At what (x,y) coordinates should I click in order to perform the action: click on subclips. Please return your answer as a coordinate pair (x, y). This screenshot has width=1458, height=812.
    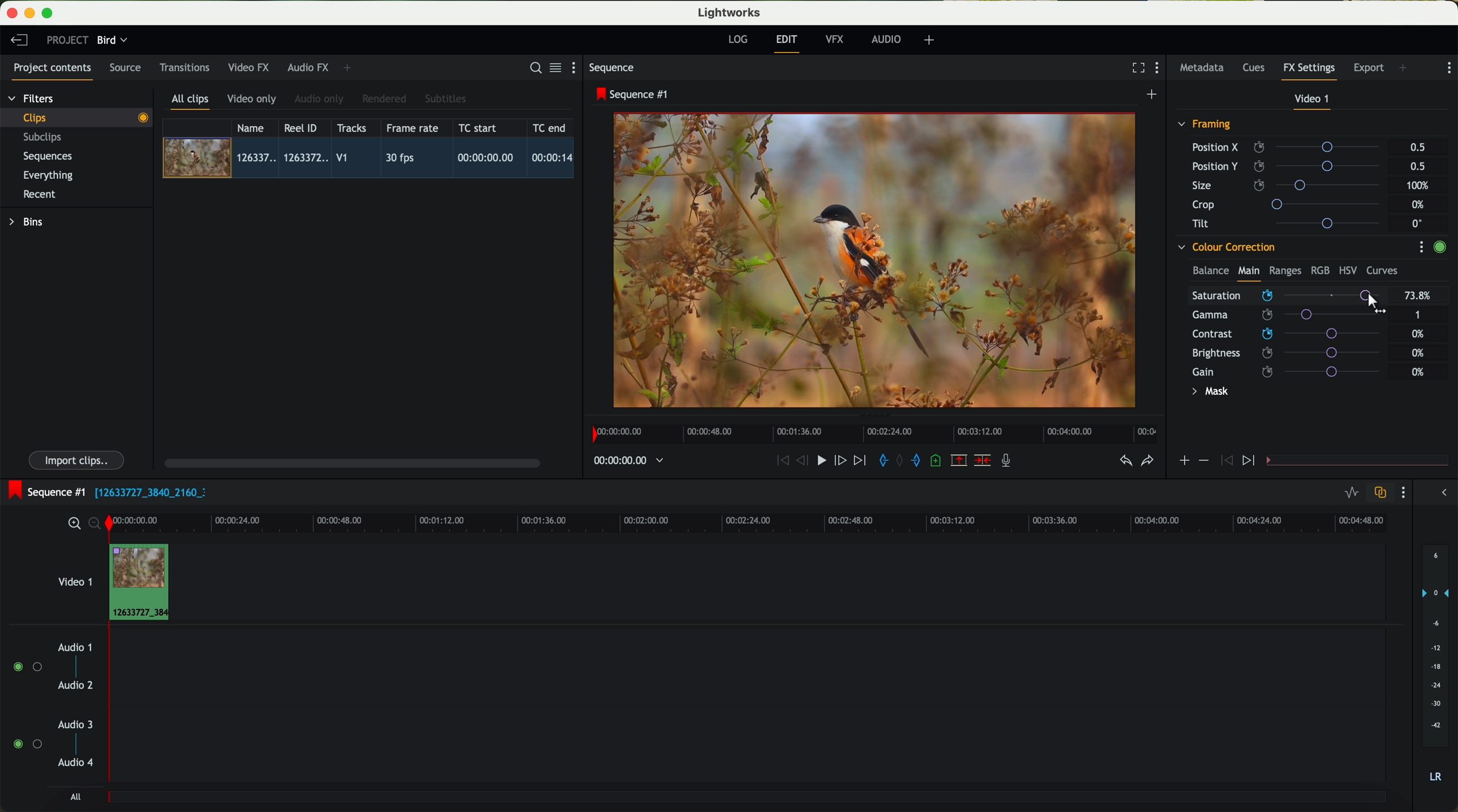
    Looking at the image, I should click on (45, 138).